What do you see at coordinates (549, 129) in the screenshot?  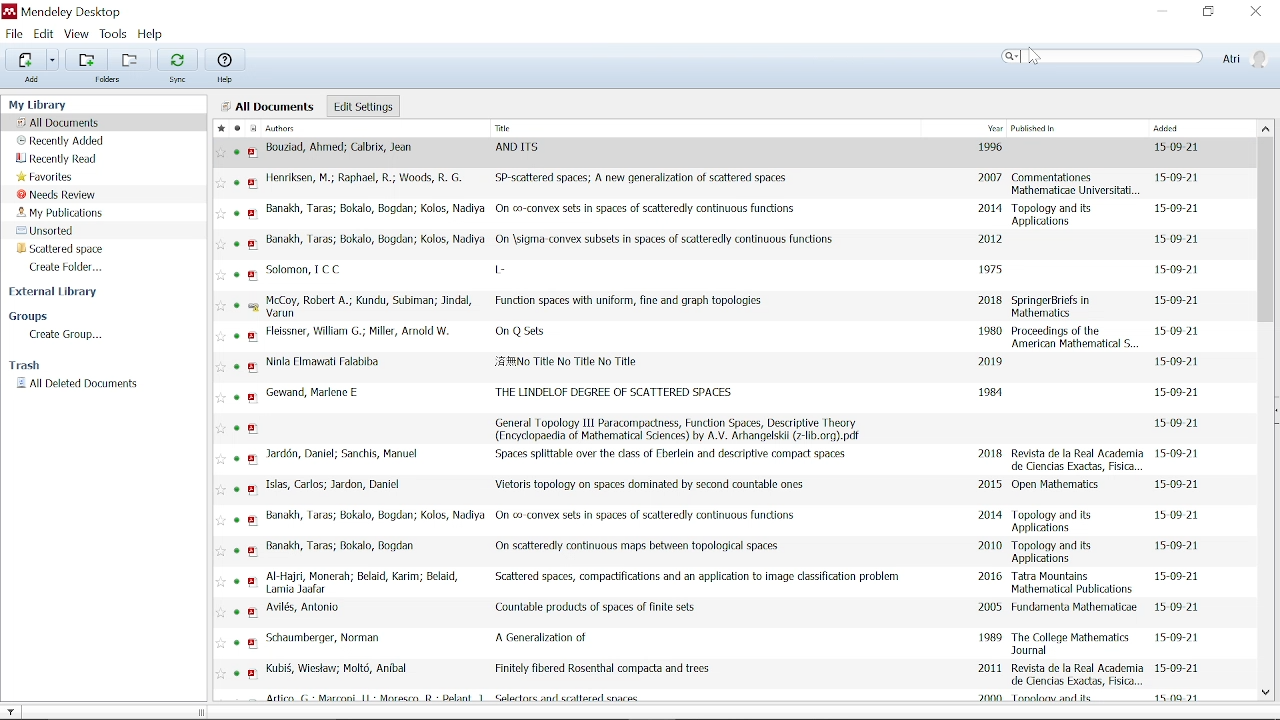 I see `Title` at bounding box center [549, 129].